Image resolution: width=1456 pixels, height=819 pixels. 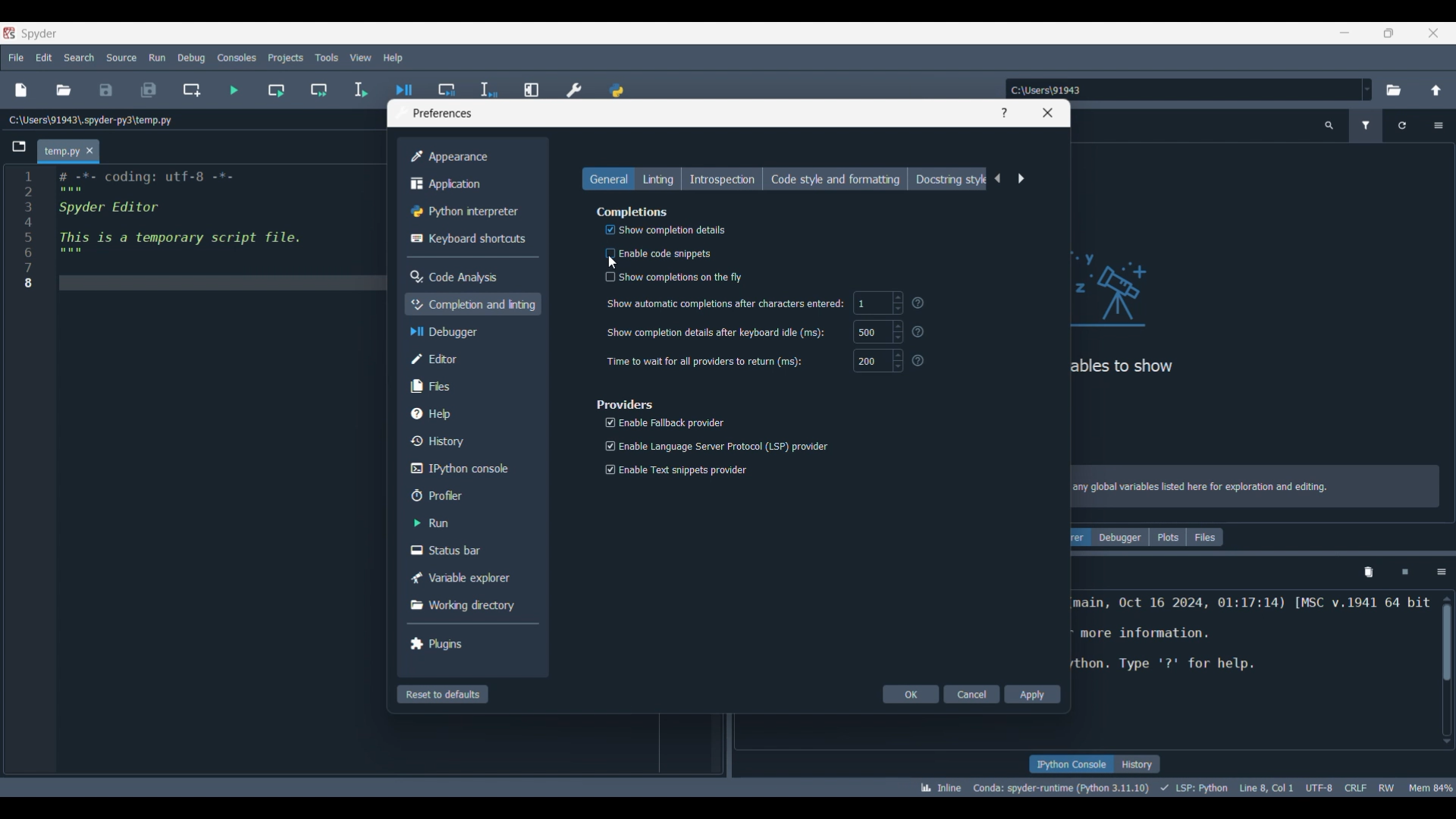 I want to click on Debug menu, so click(x=192, y=58).